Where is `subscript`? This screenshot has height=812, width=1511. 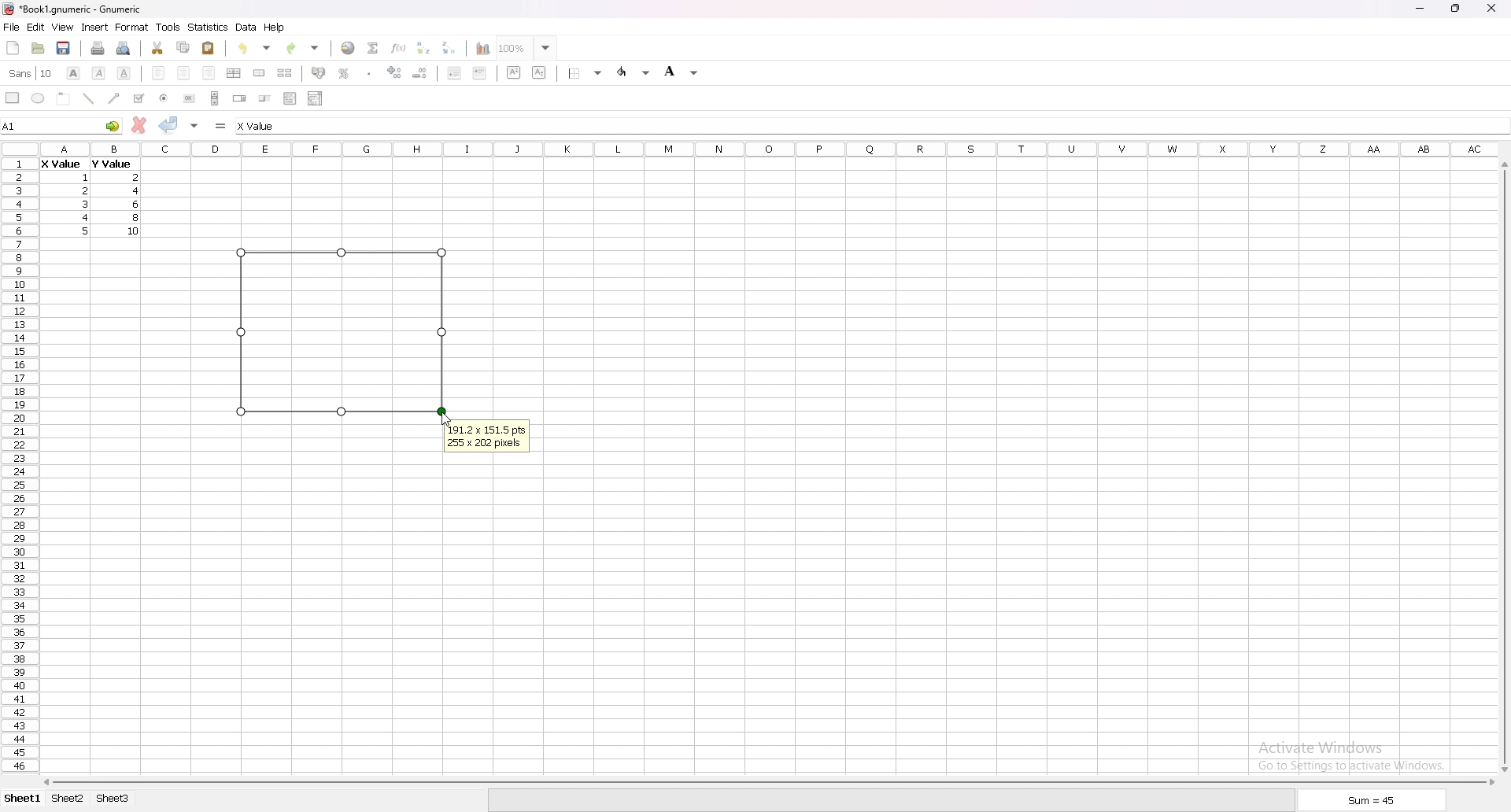 subscript is located at coordinates (540, 72).